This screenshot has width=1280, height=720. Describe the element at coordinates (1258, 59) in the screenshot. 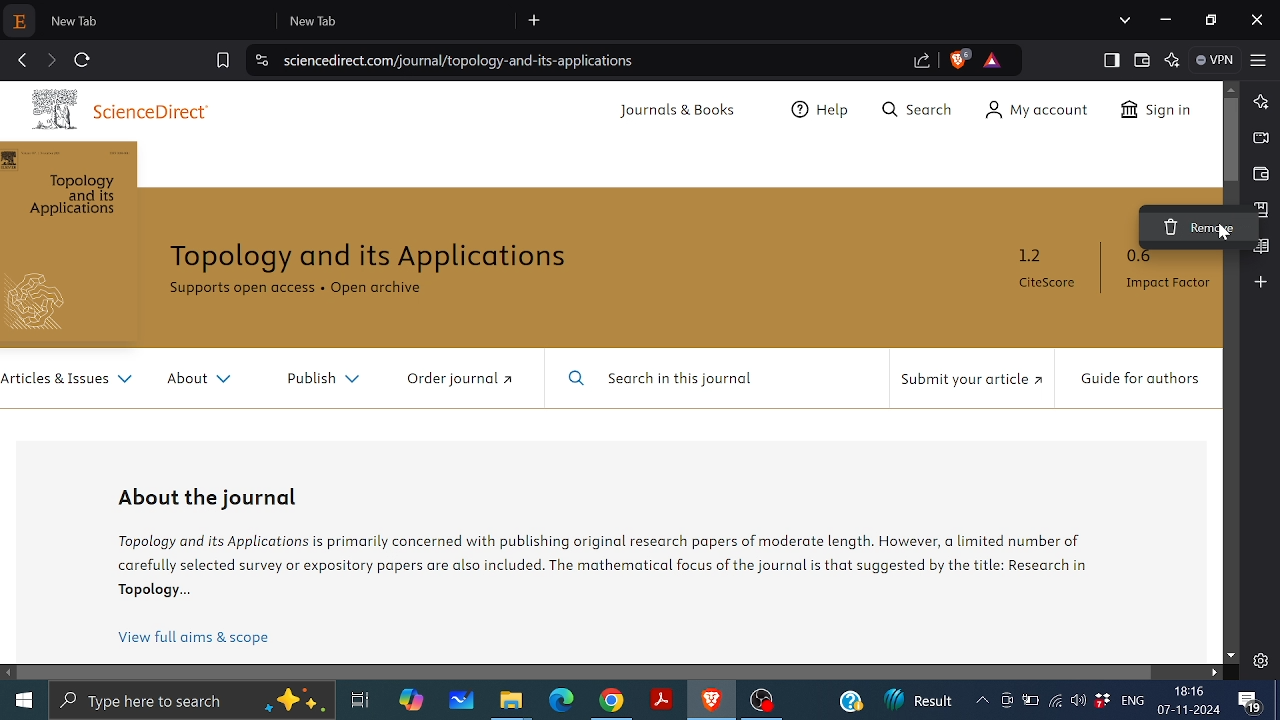

I see `Customize and control btave` at that location.